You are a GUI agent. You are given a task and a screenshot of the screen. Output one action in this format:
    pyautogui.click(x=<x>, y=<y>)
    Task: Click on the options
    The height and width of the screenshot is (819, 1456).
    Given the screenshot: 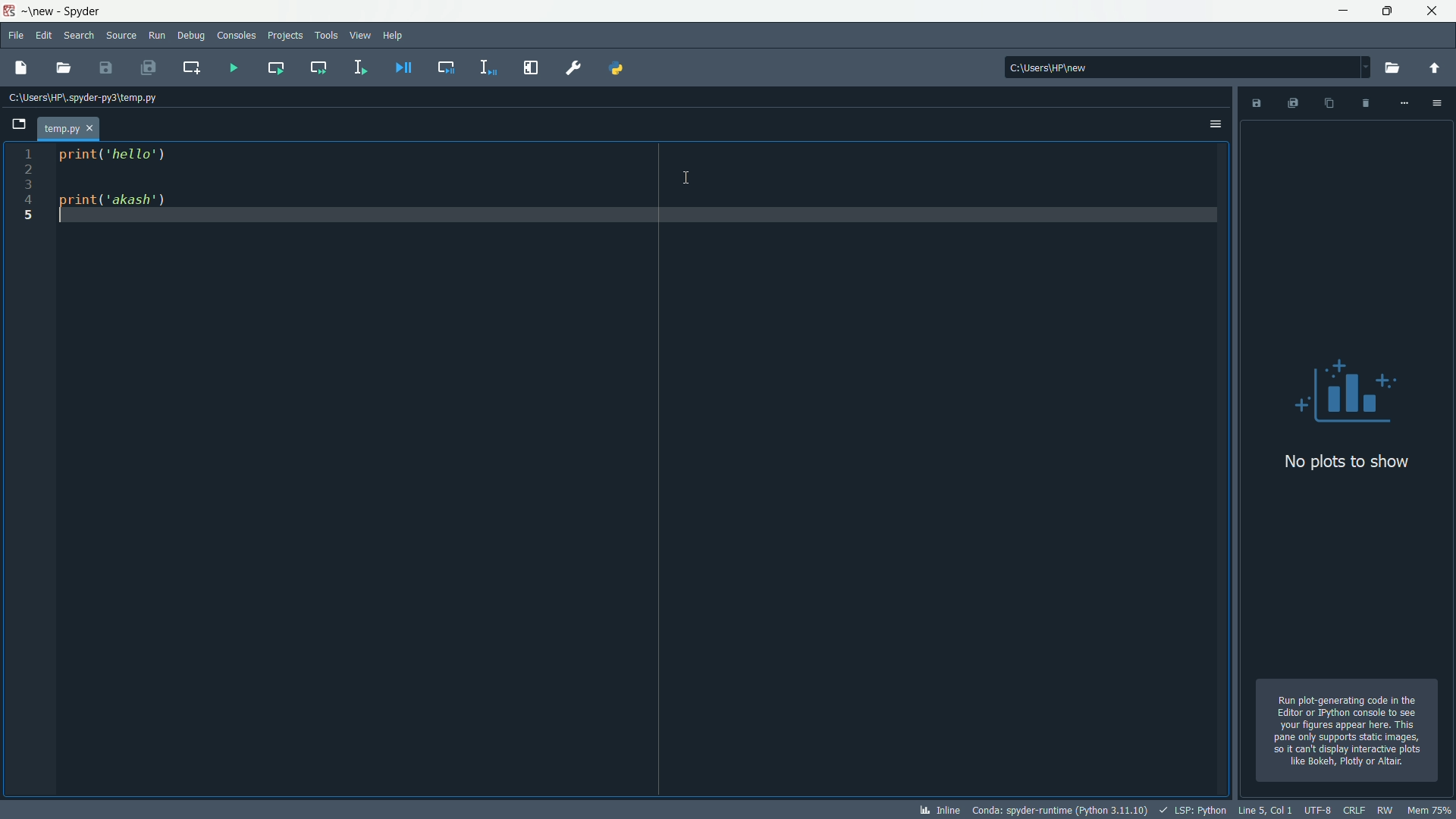 What is the action you would take?
    pyautogui.click(x=1214, y=127)
    